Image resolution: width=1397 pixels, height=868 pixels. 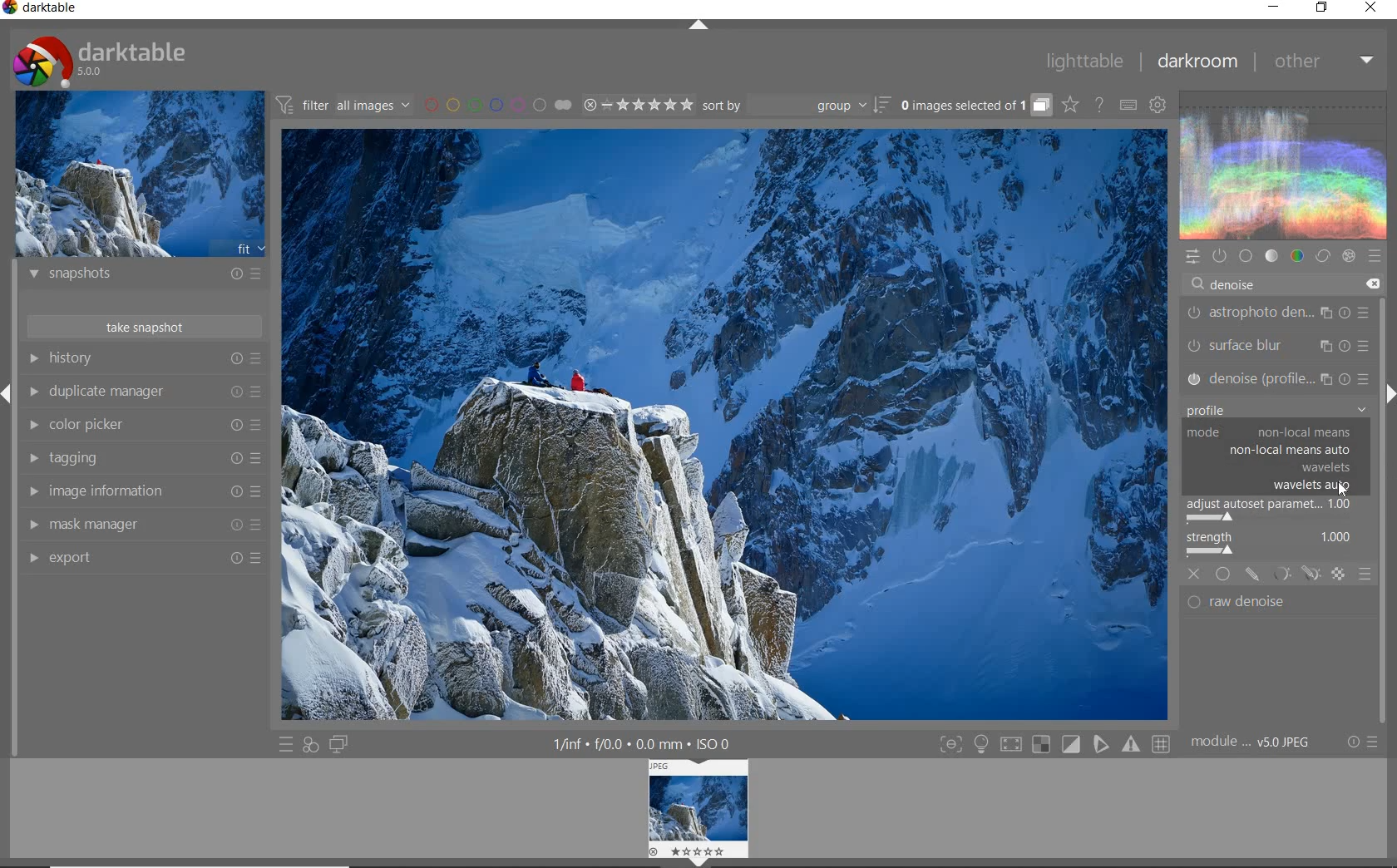 I want to click on take snapshot, so click(x=147, y=326).